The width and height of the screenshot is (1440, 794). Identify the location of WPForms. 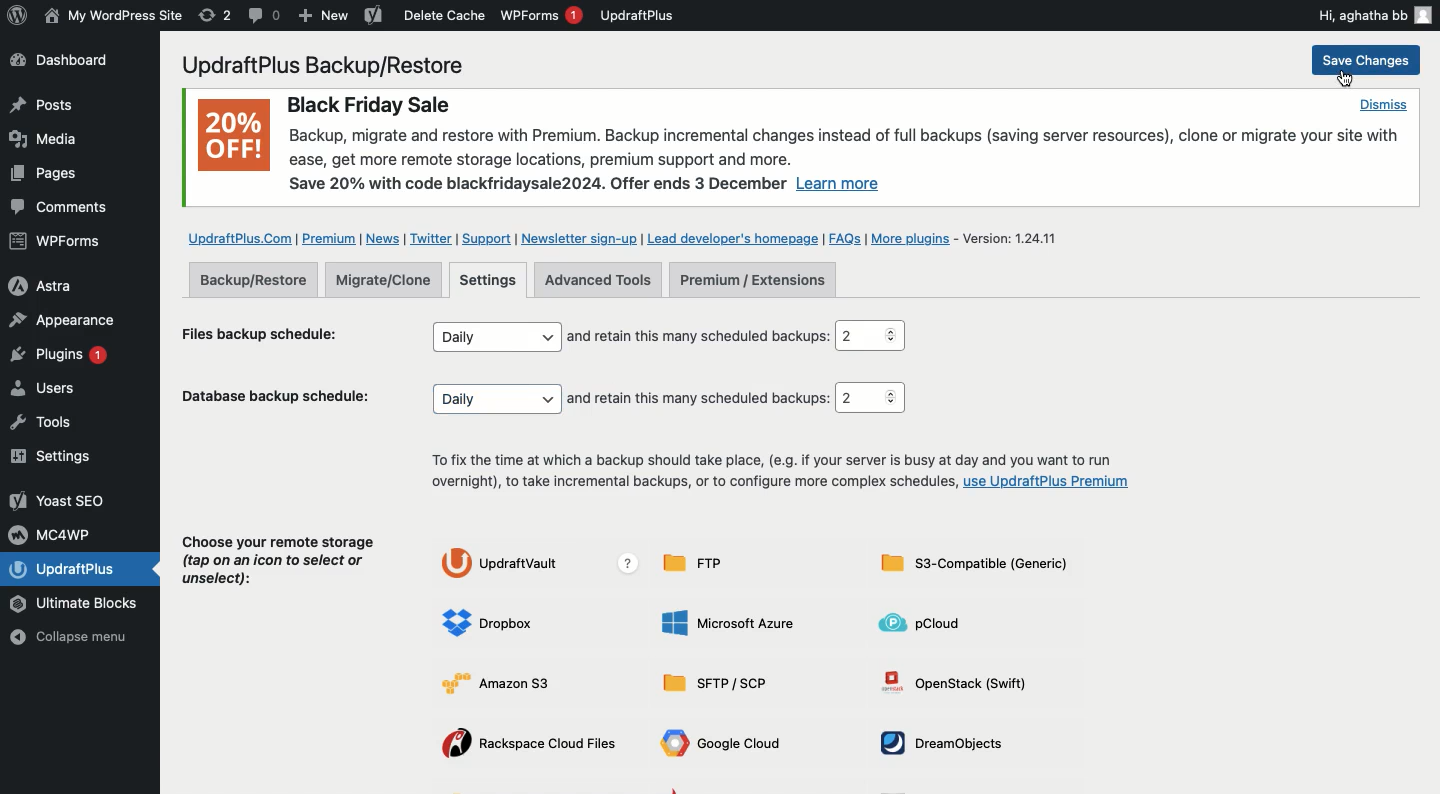
(58, 243).